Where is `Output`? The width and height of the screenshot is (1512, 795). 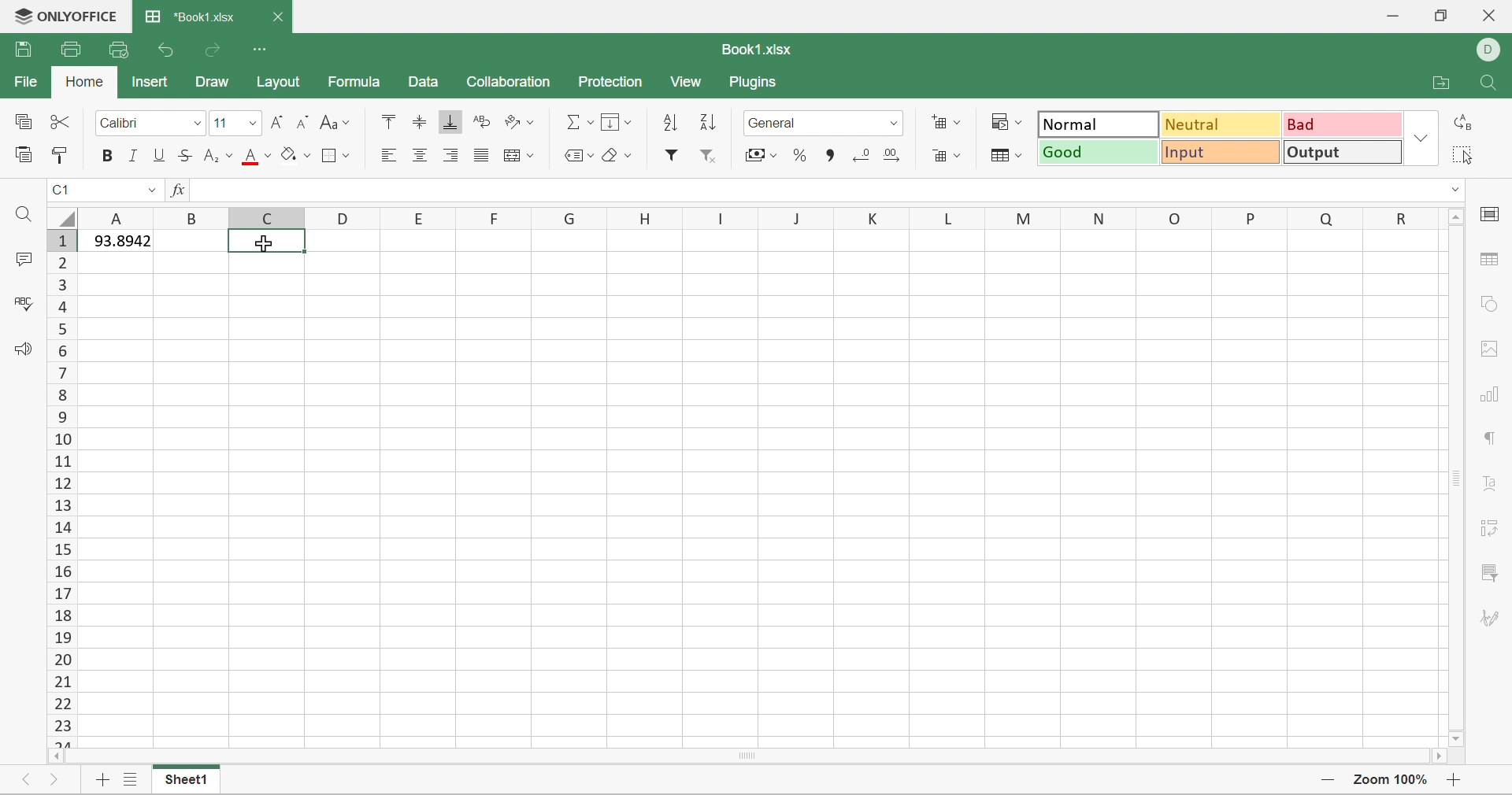
Output is located at coordinates (1342, 152).